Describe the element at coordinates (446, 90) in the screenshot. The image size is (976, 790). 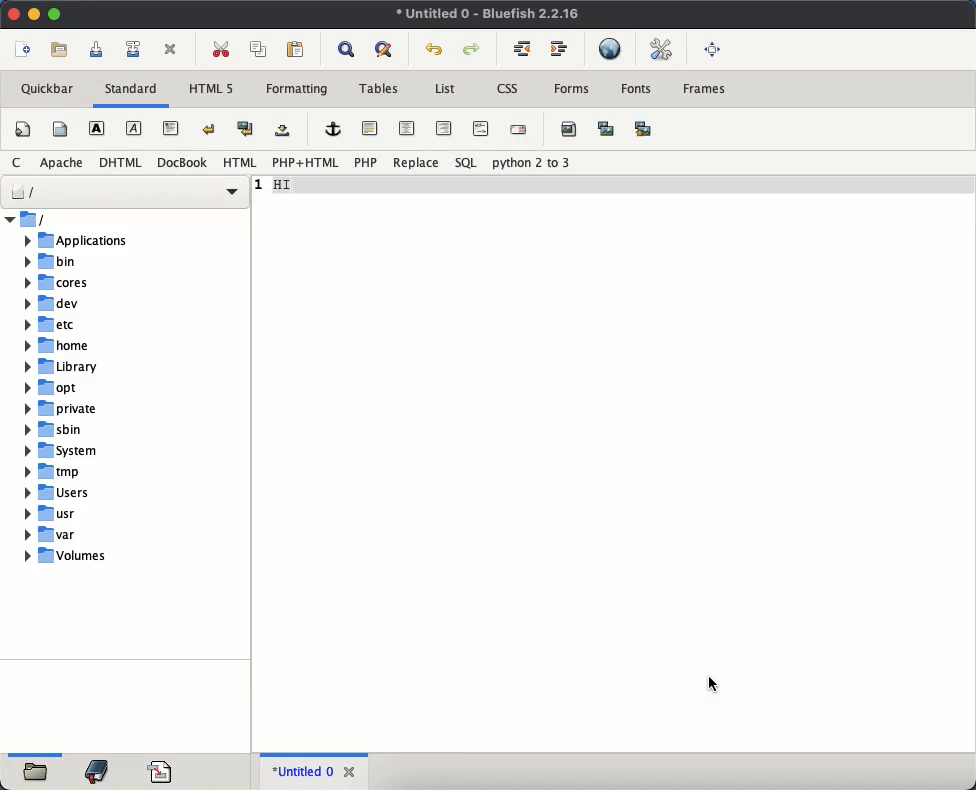
I see `list` at that location.